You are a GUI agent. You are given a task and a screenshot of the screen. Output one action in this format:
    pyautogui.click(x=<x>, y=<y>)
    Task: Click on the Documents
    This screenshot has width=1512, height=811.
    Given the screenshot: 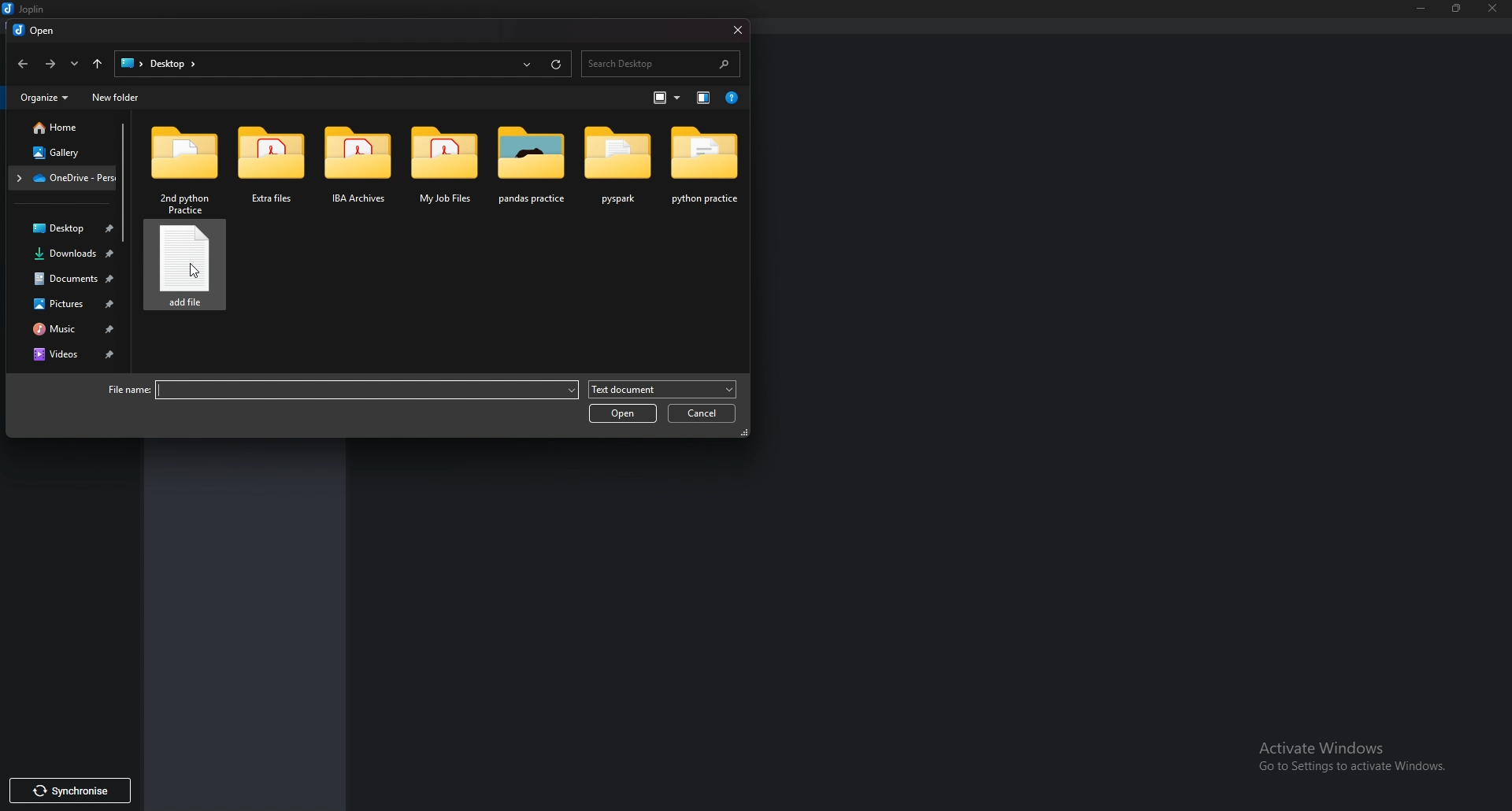 What is the action you would take?
    pyautogui.click(x=72, y=278)
    